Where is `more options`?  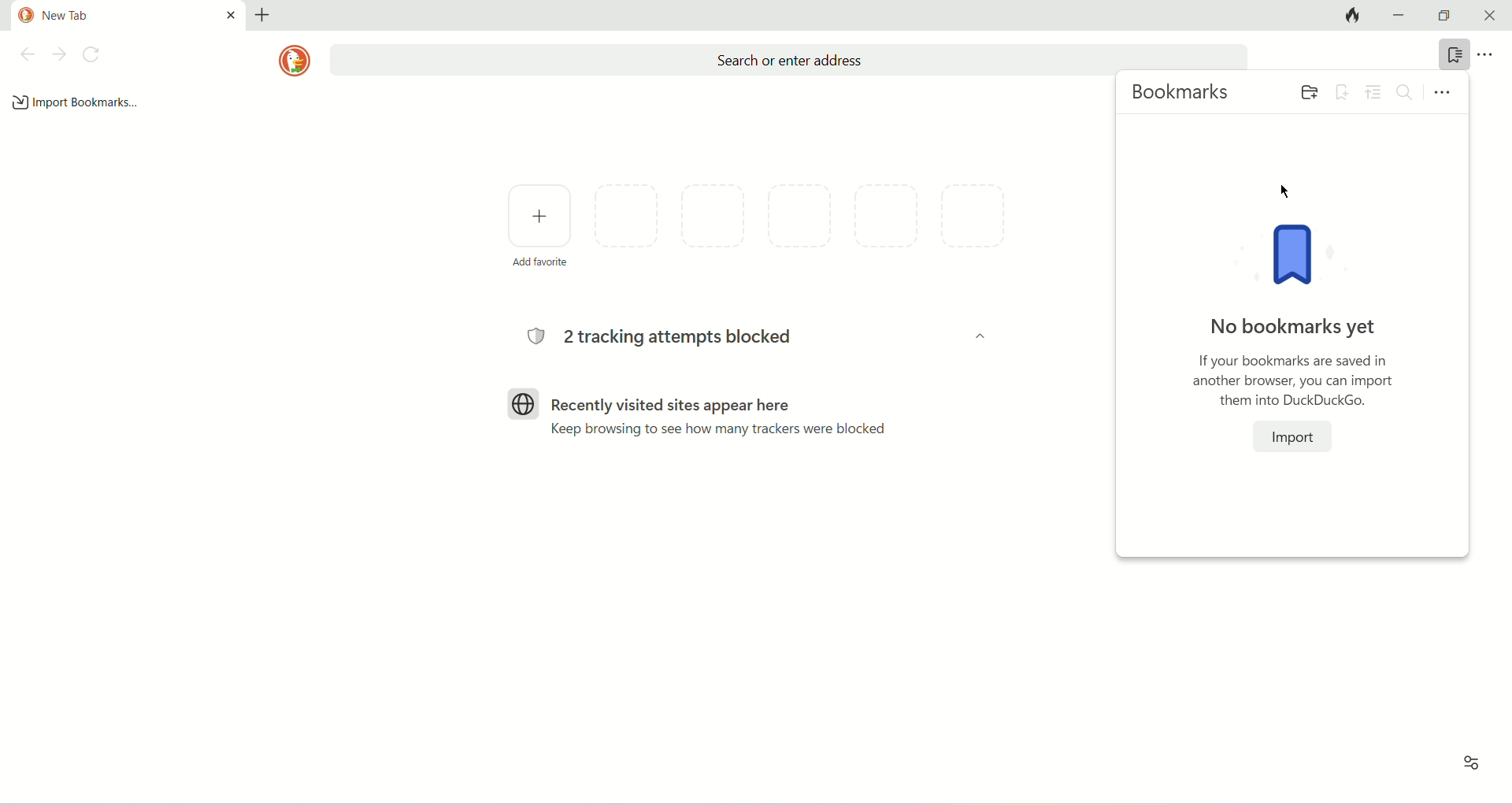
more options is located at coordinates (1494, 55).